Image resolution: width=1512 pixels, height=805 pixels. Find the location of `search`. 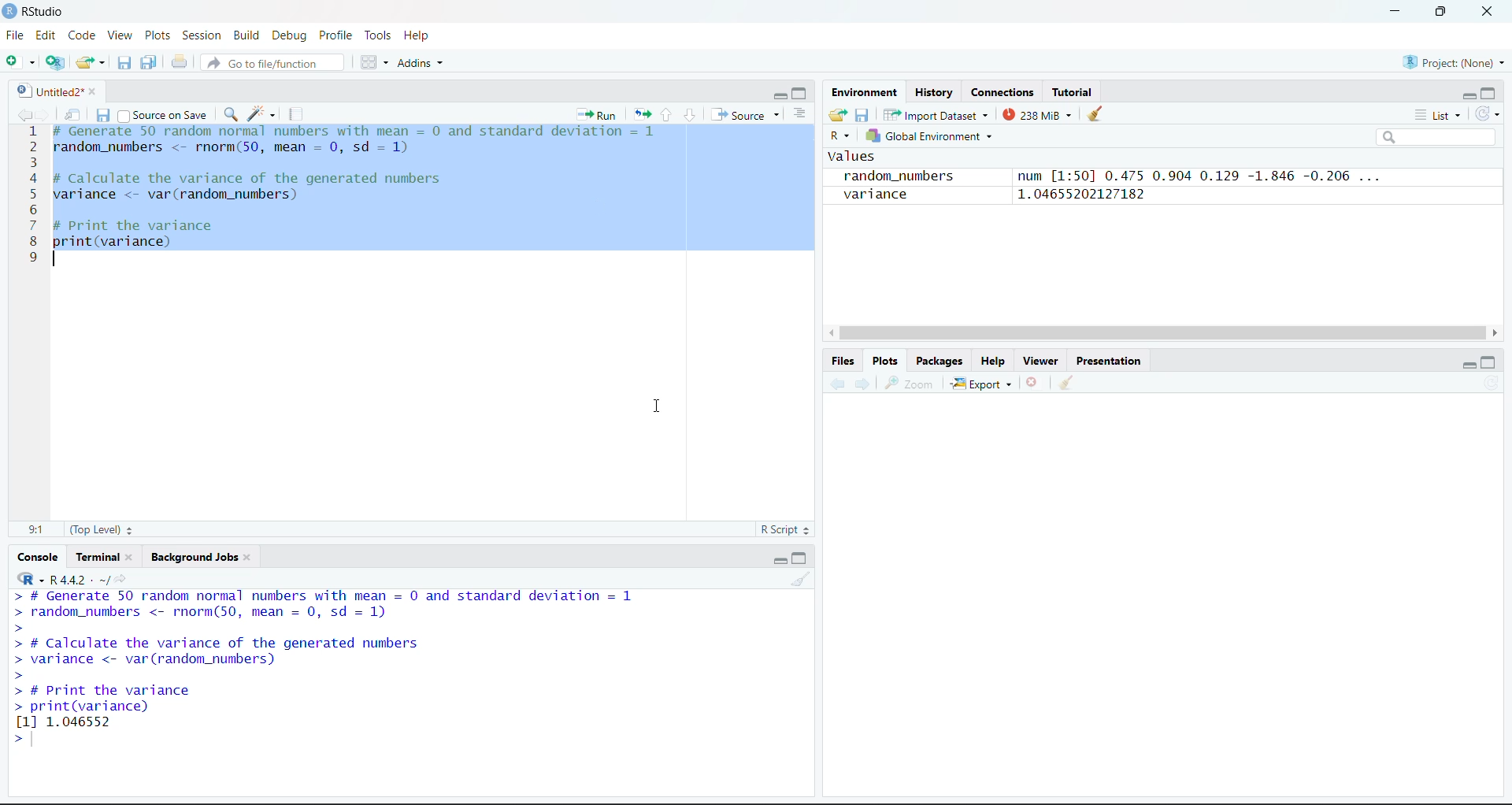

search is located at coordinates (230, 114).